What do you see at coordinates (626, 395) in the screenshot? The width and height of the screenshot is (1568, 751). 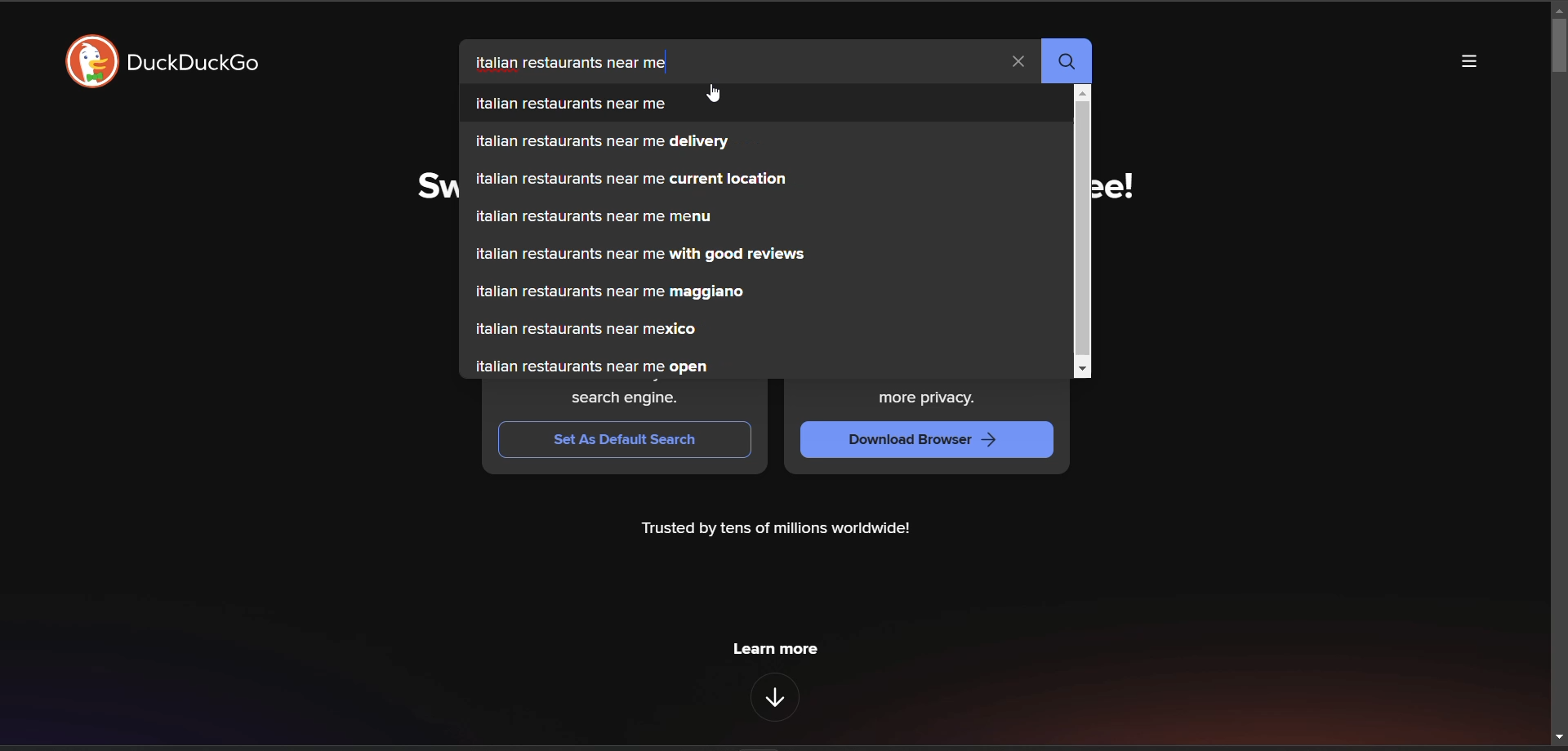 I see `Make DuckDuckGo your default search engine.` at bounding box center [626, 395].